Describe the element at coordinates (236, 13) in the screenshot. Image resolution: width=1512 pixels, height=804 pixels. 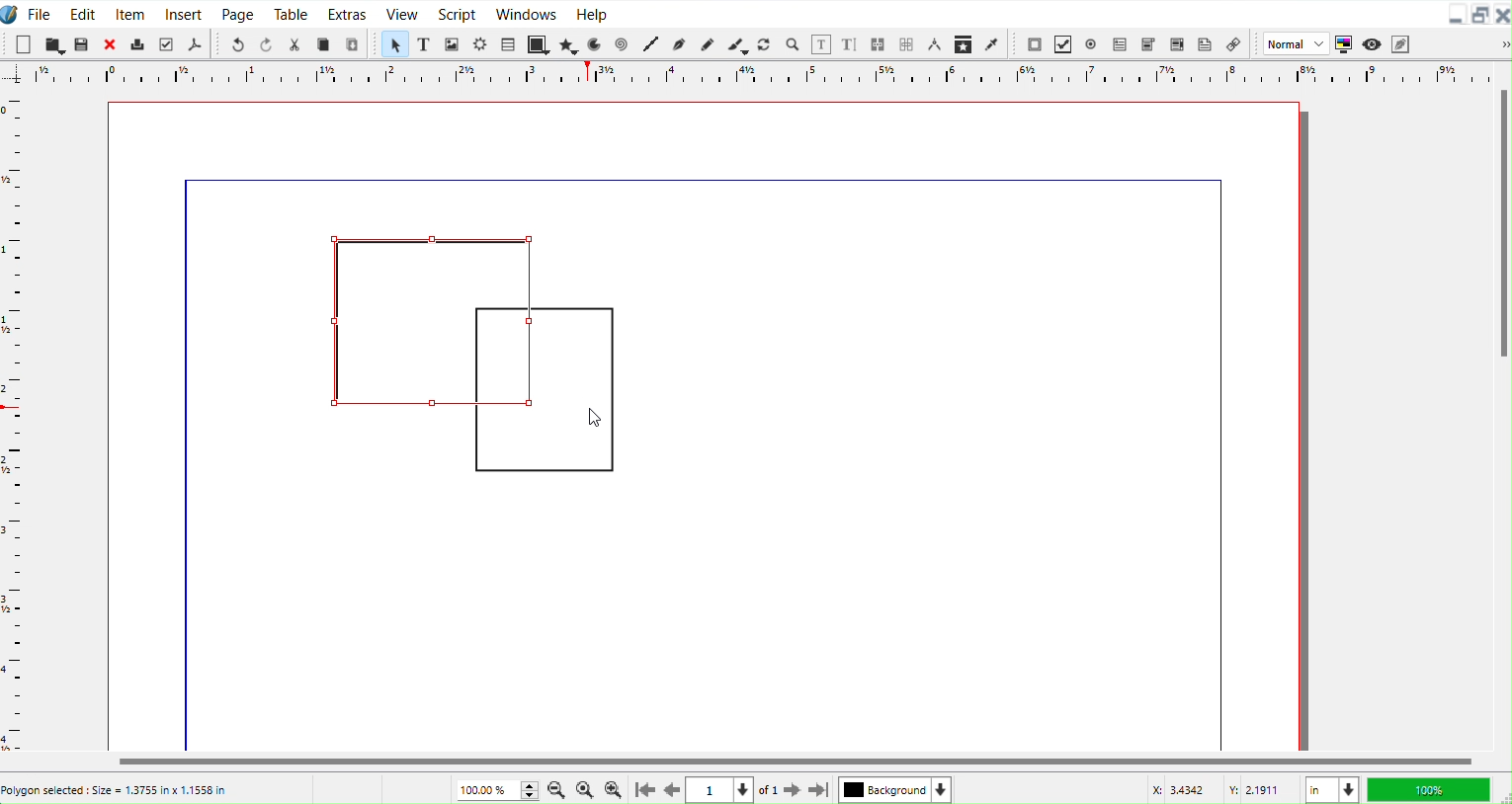
I see `Page` at that location.